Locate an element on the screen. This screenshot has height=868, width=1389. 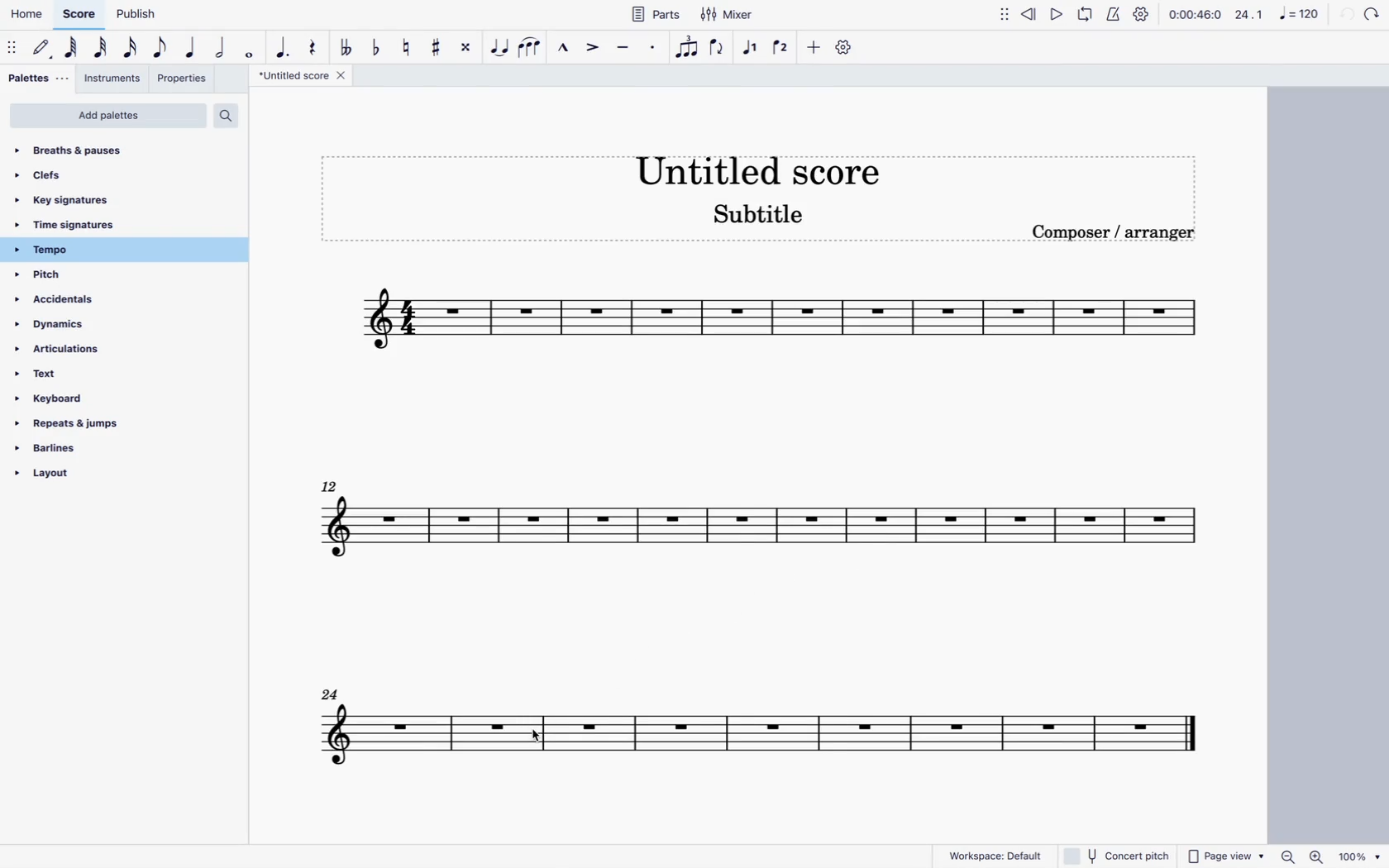
tenuto is located at coordinates (623, 50).